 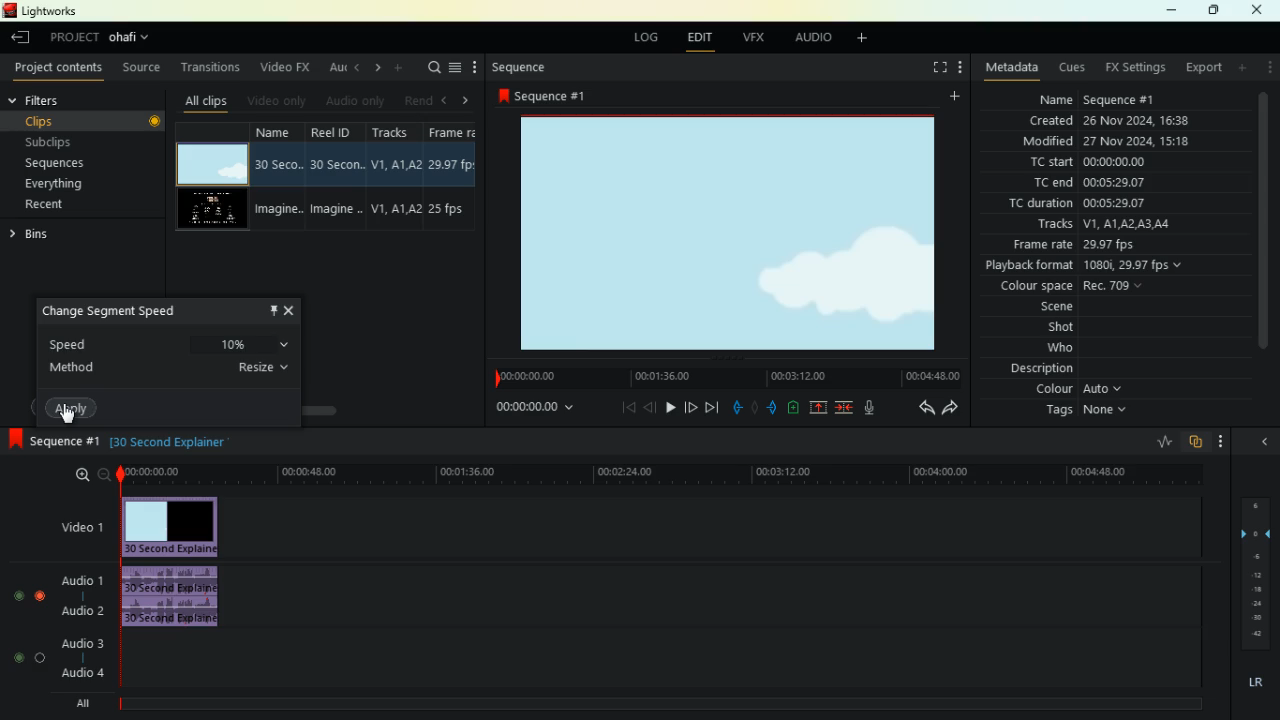 What do you see at coordinates (1012, 66) in the screenshot?
I see `metadata` at bounding box center [1012, 66].